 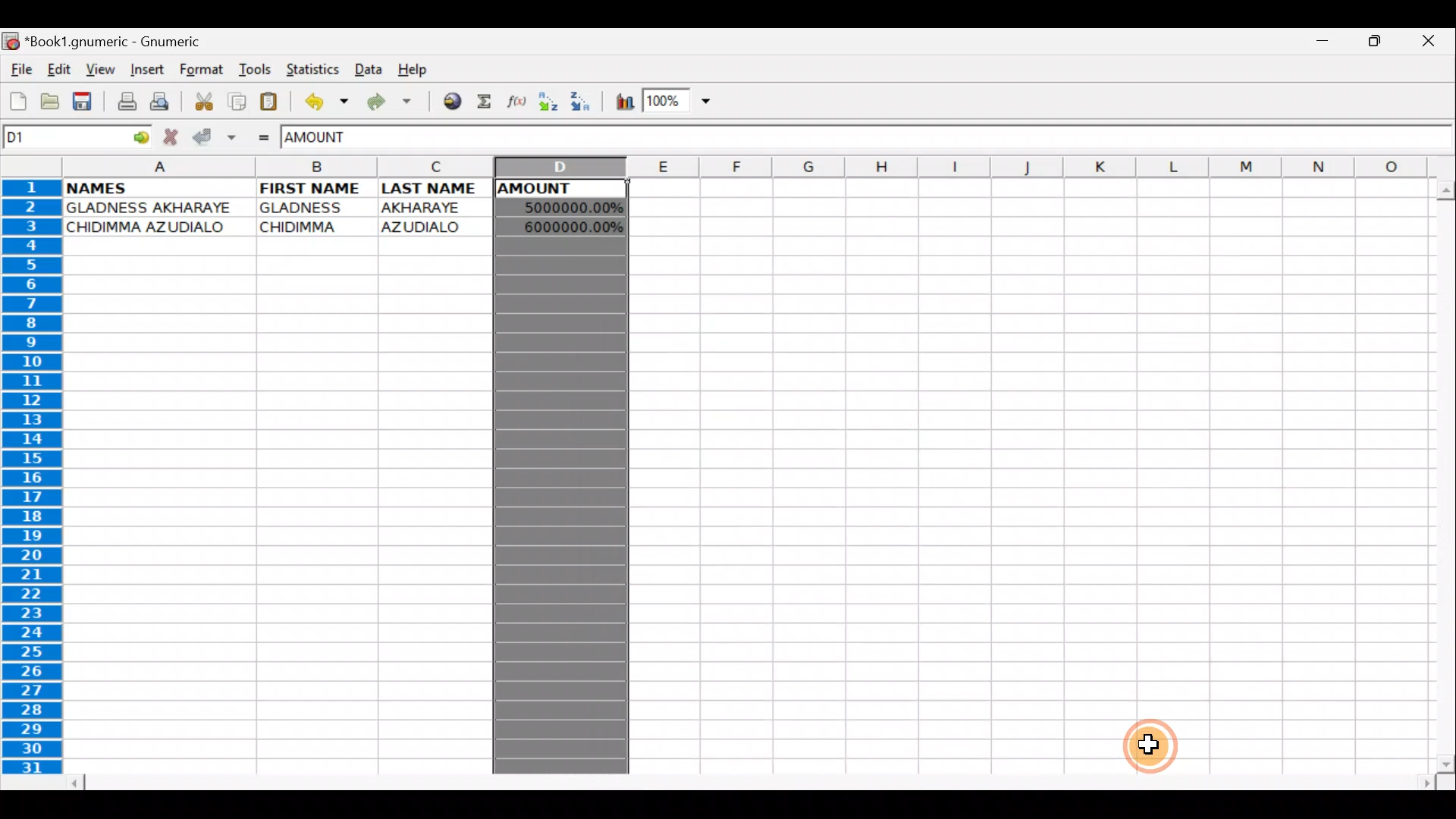 What do you see at coordinates (419, 71) in the screenshot?
I see `Help` at bounding box center [419, 71].